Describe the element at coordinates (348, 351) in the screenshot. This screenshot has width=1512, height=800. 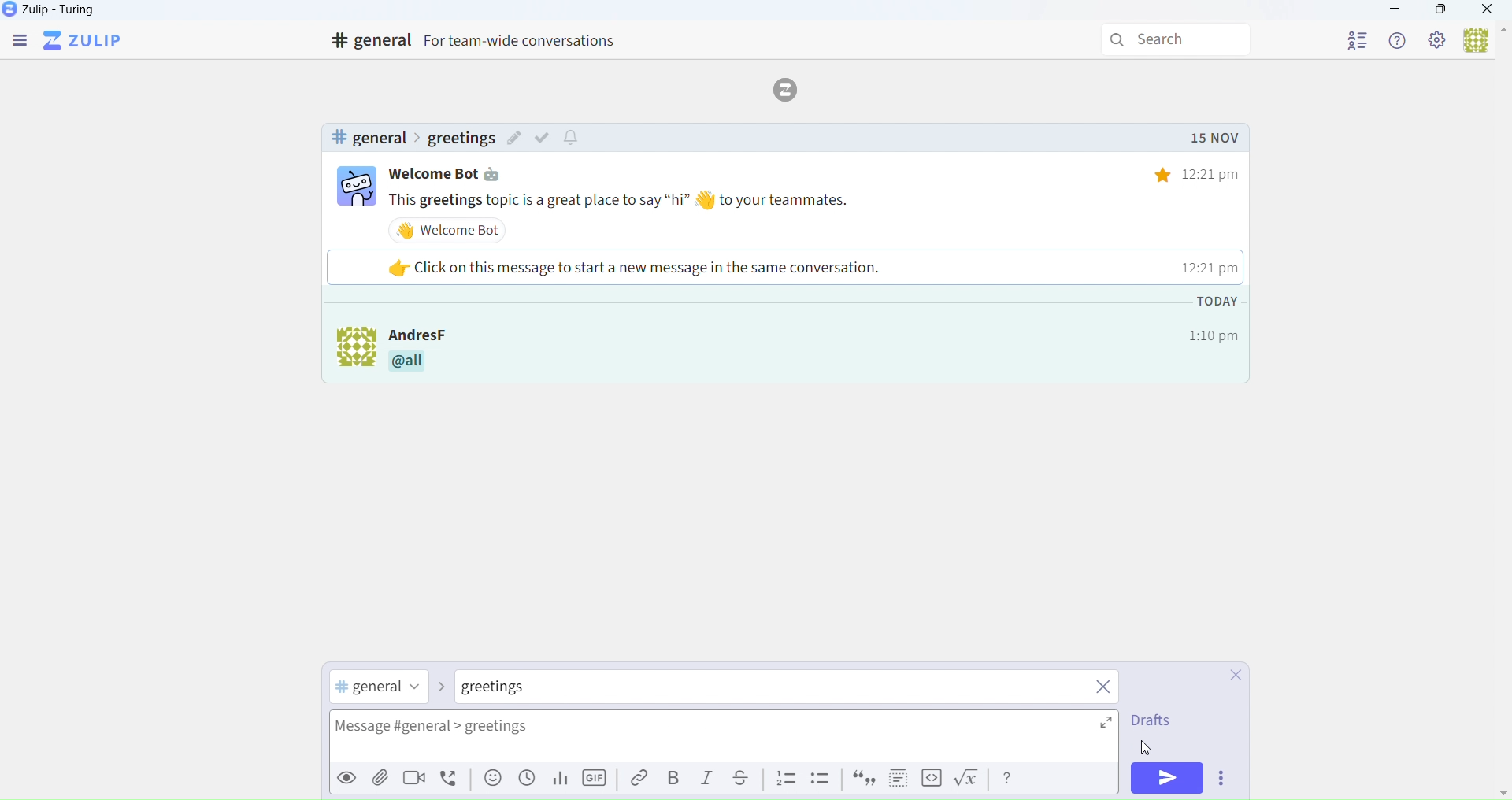
I see `profile picture` at that location.